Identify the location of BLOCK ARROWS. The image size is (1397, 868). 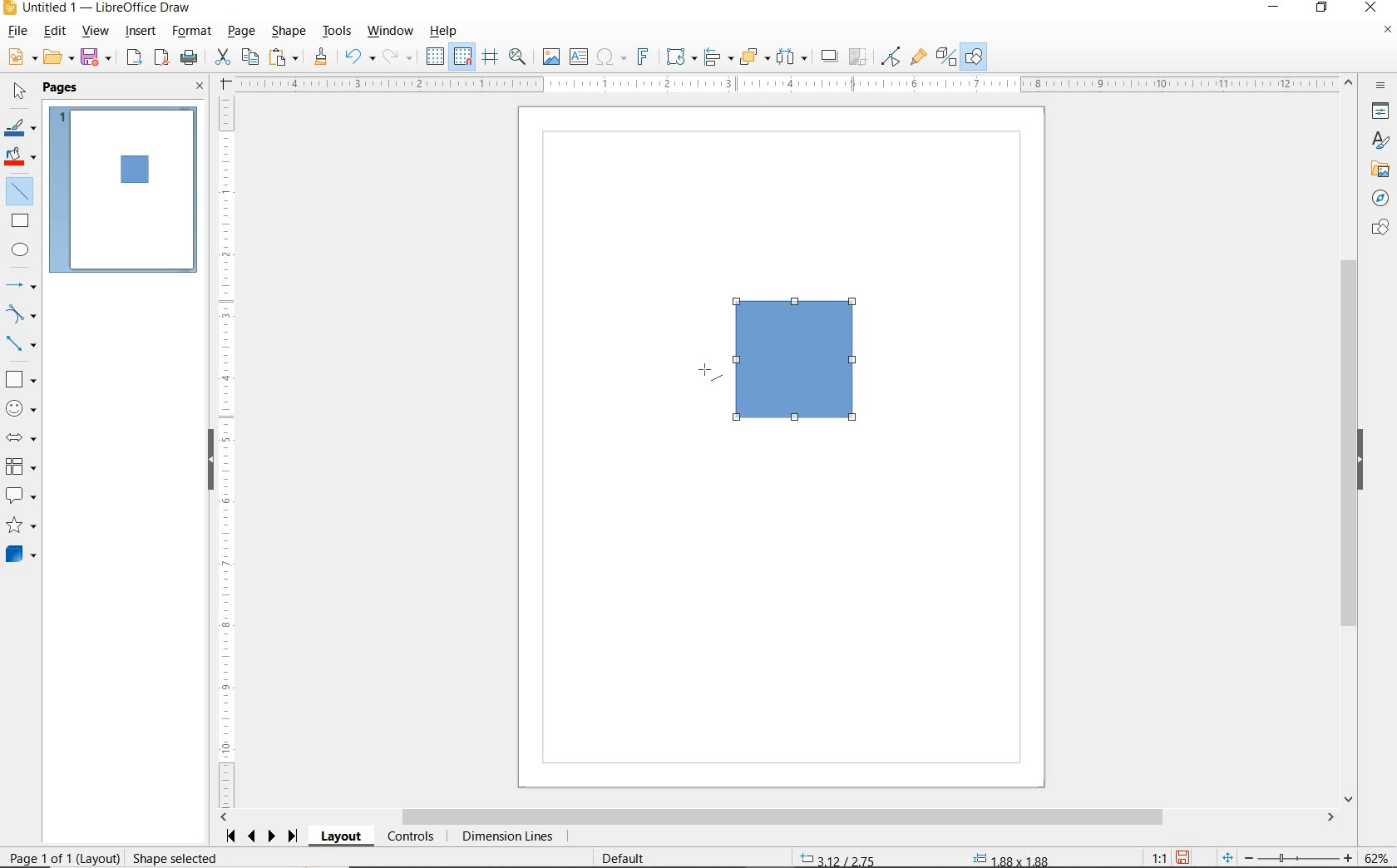
(26, 437).